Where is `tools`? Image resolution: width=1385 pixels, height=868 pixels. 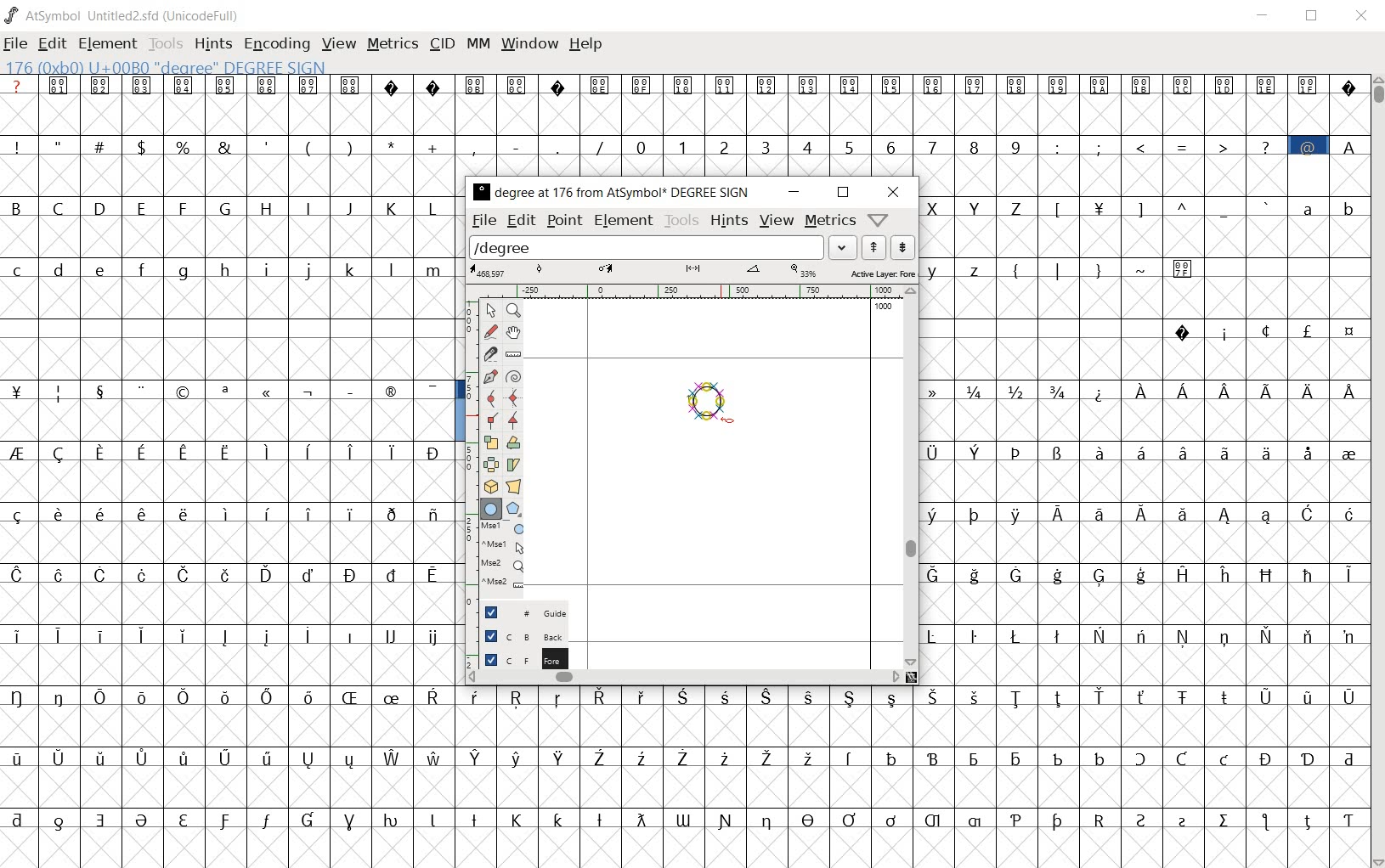
tools is located at coordinates (166, 43).